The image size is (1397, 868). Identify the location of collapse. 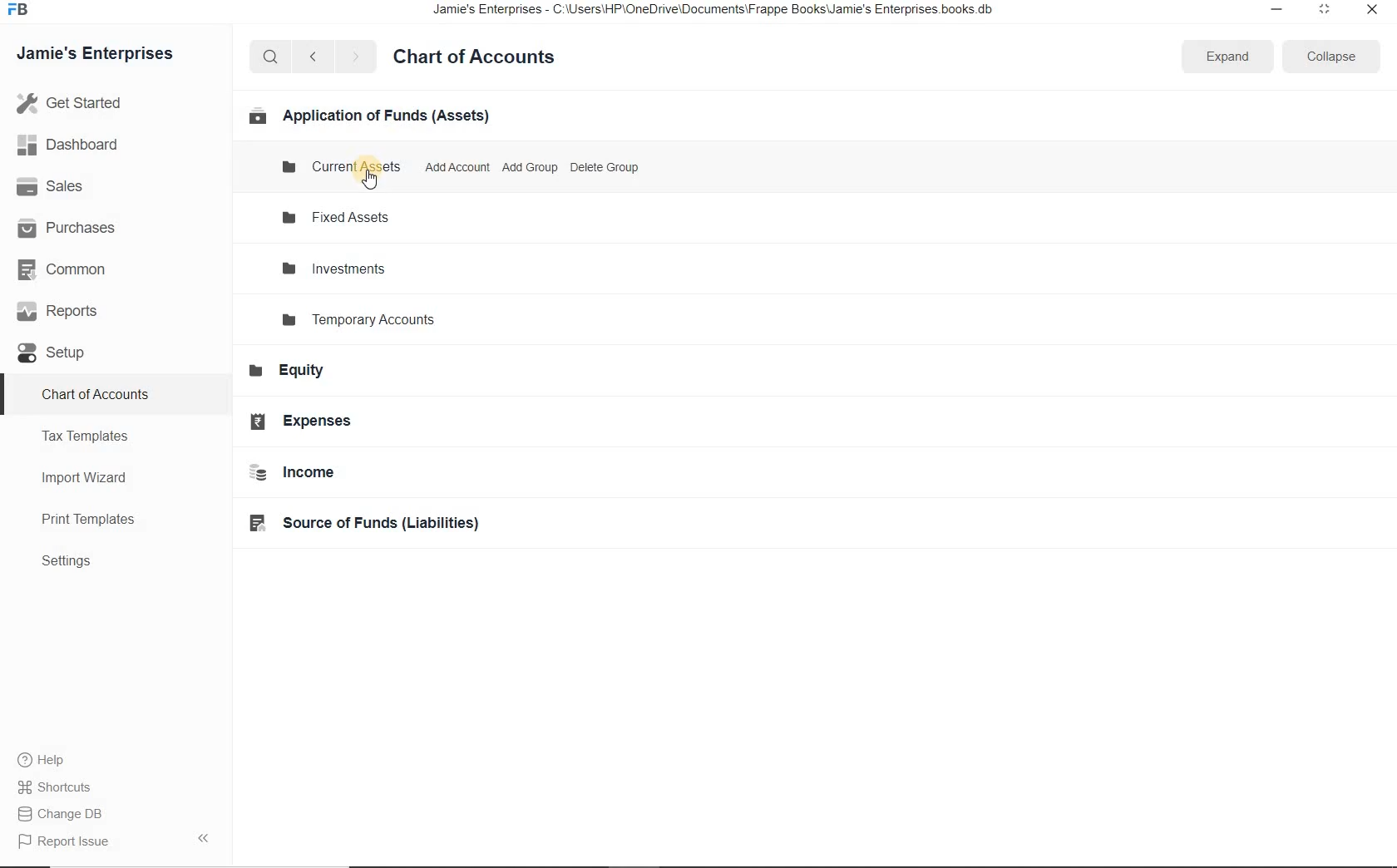
(1327, 57).